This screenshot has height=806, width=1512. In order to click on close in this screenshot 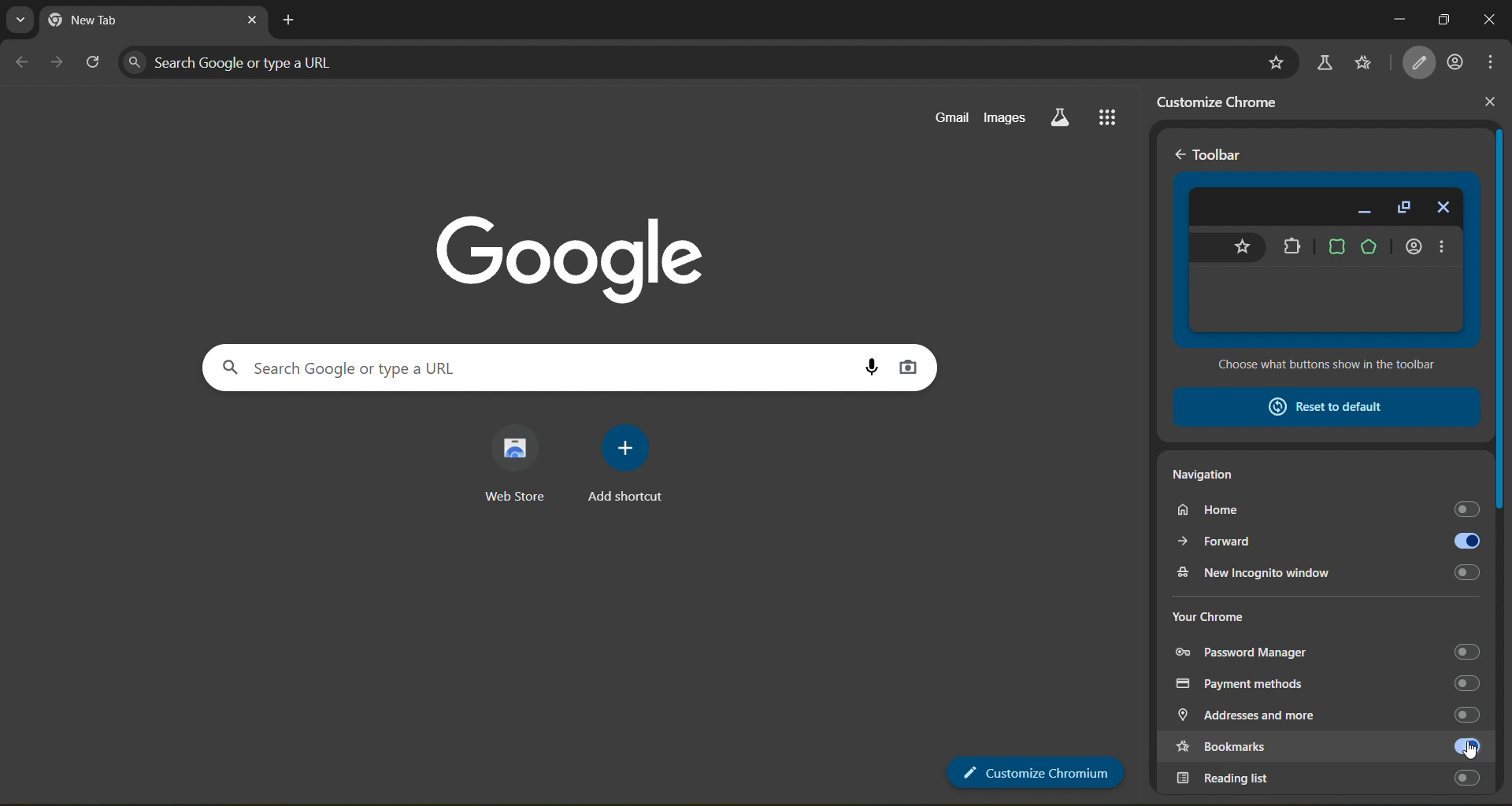, I will do `click(1491, 20)`.